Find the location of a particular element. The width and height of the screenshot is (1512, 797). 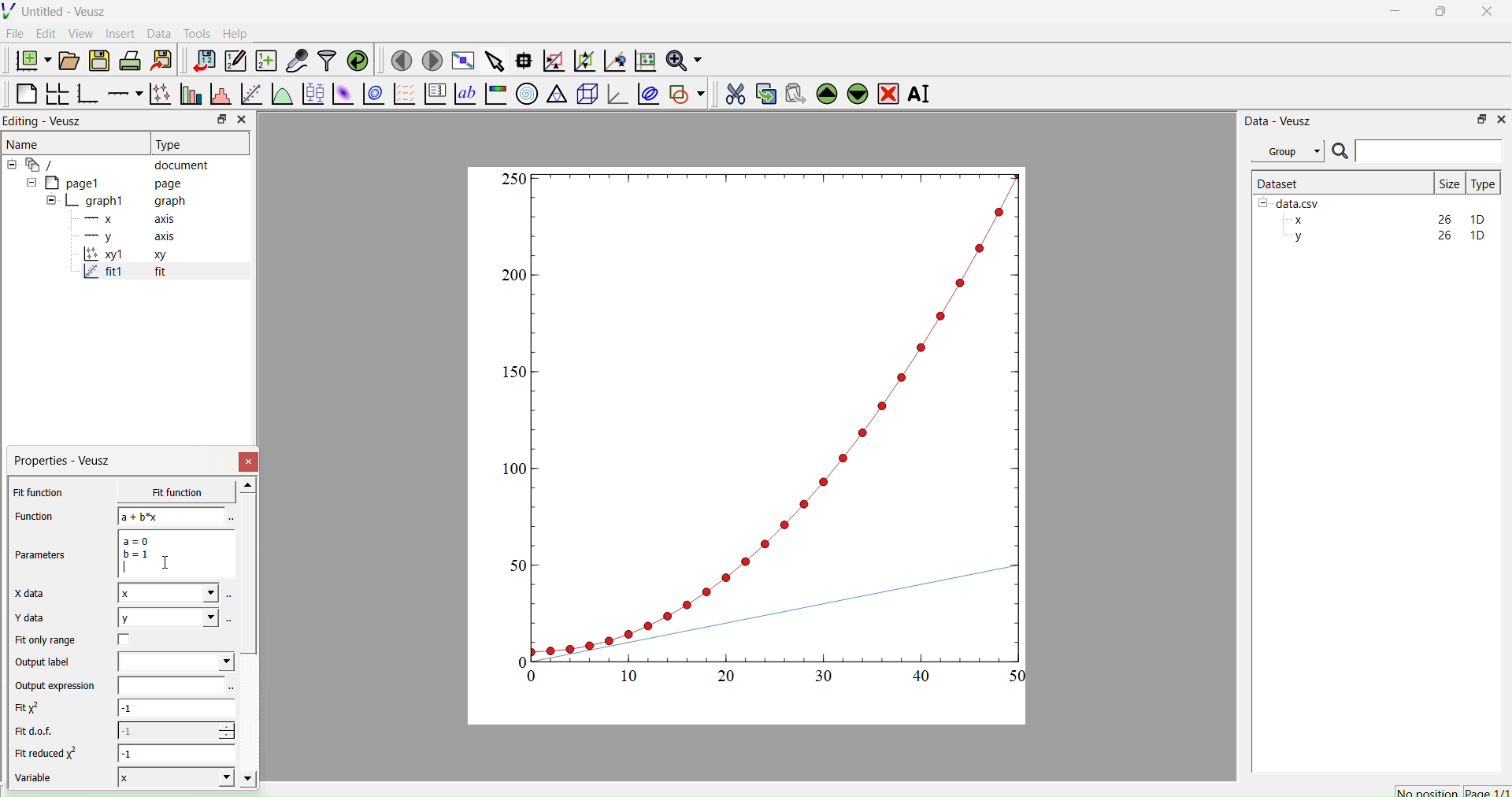

Capture remote data is located at coordinates (297, 61).